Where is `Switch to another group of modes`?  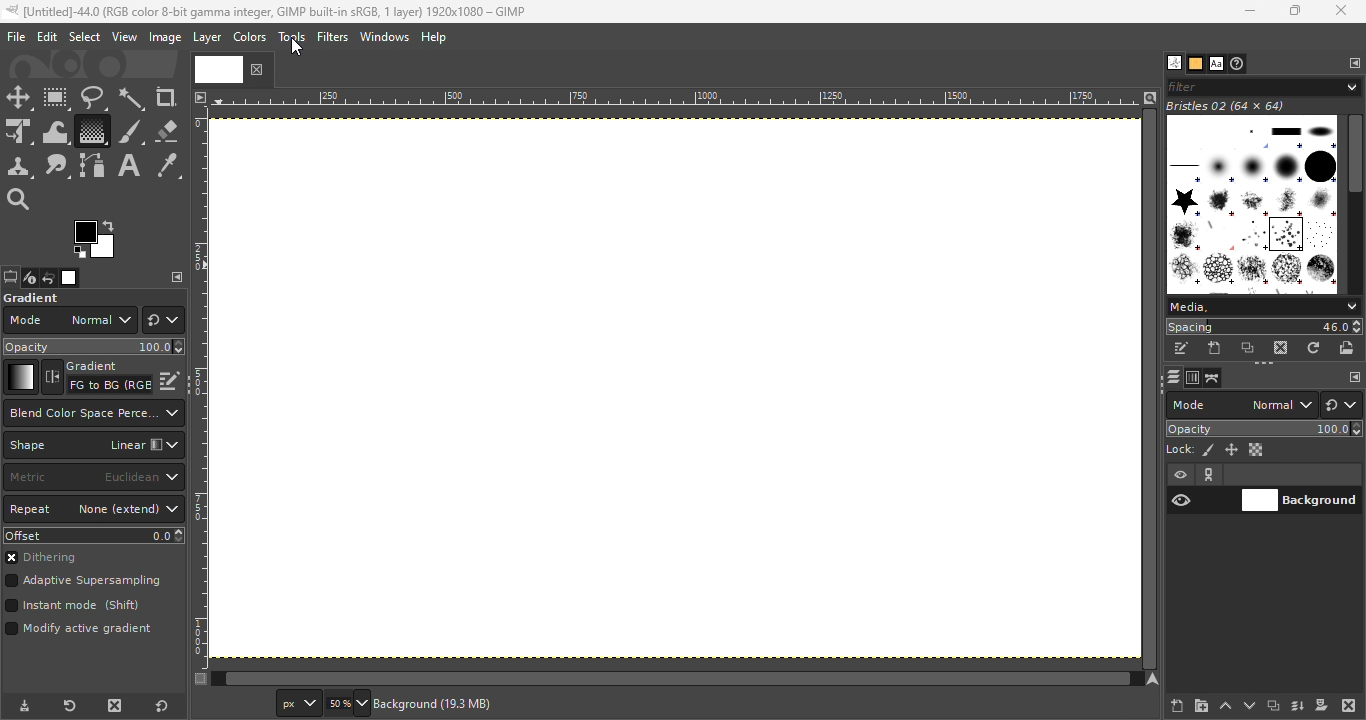 Switch to another group of modes is located at coordinates (163, 320).